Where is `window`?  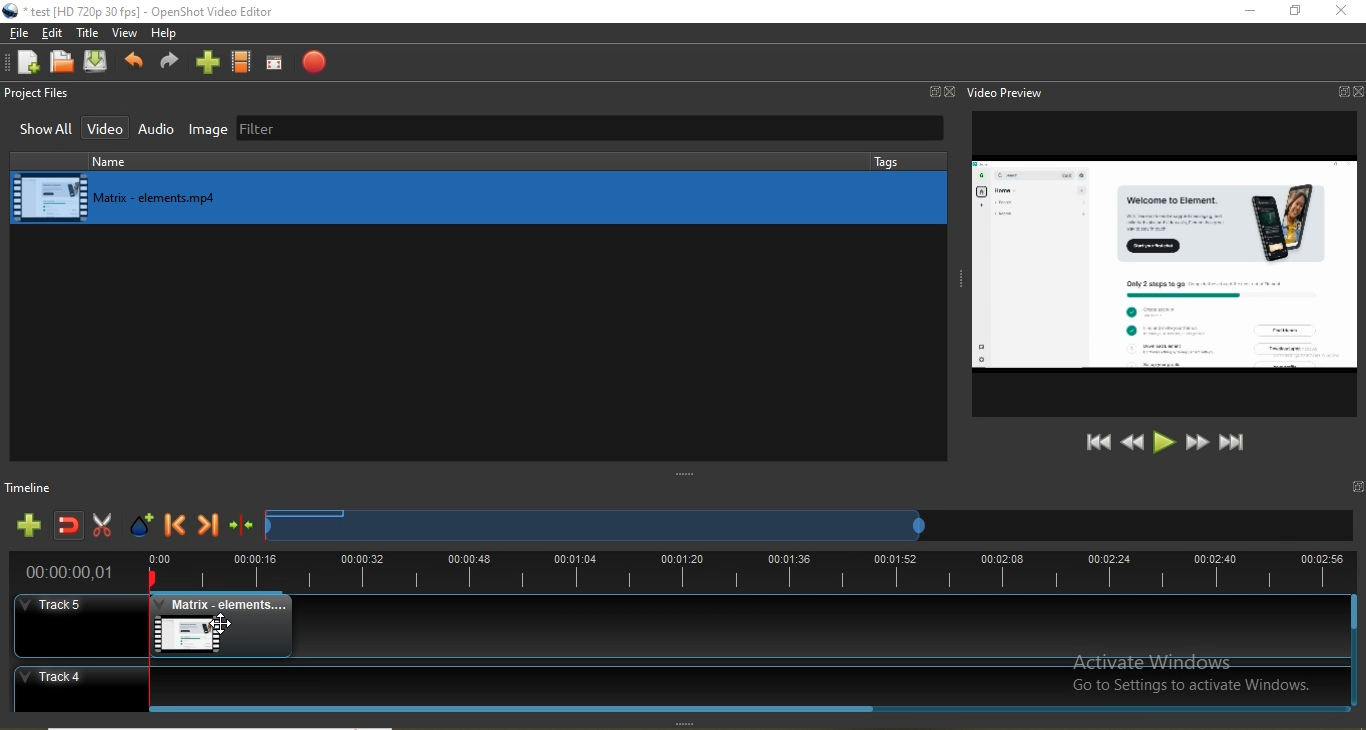
window is located at coordinates (1357, 487).